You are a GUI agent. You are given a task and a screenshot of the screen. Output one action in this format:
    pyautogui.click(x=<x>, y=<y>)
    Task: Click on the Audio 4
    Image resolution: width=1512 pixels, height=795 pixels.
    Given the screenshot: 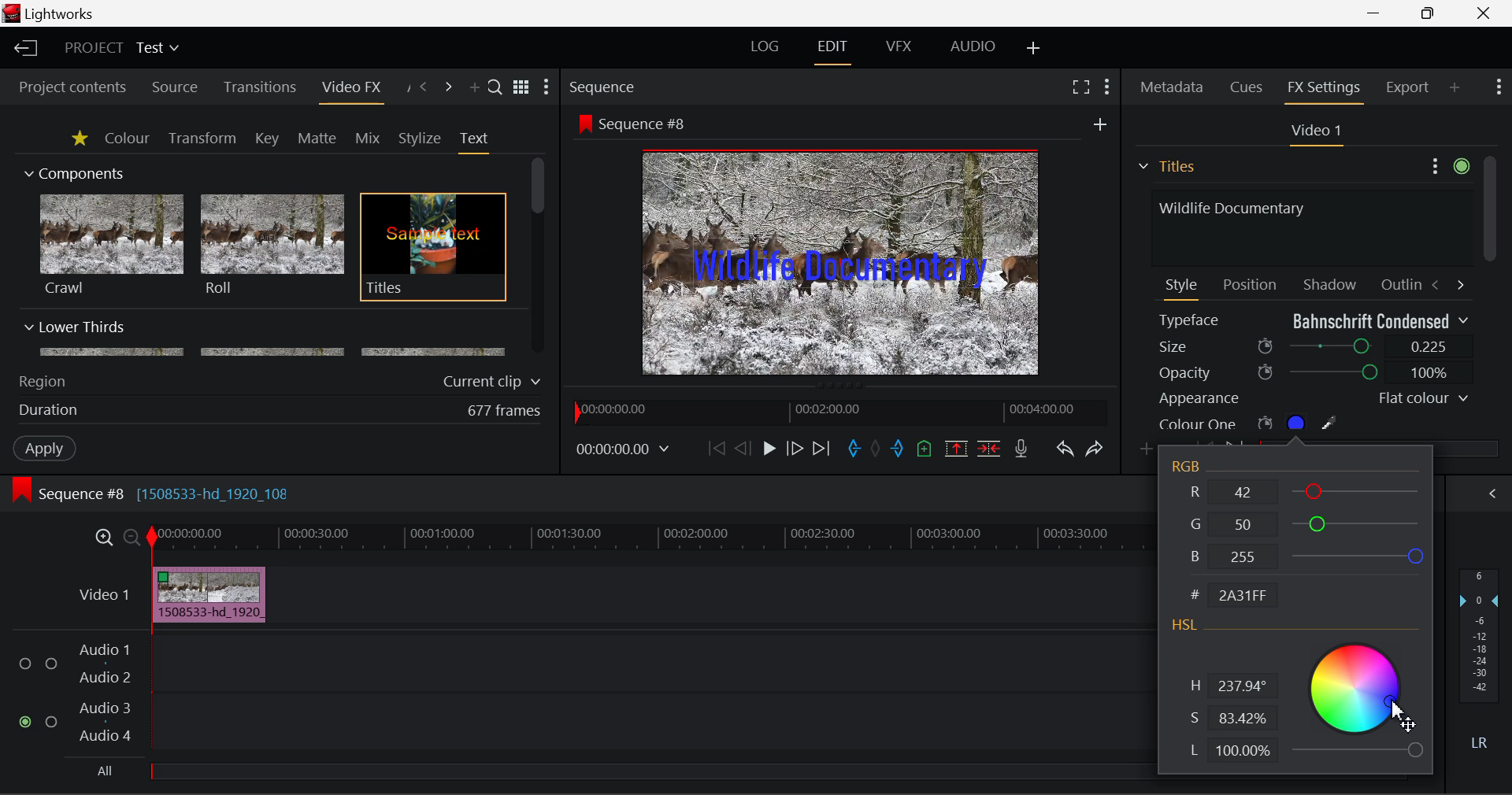 What is the action you would take?
    pyautogui.click(x=106, y=734)
    